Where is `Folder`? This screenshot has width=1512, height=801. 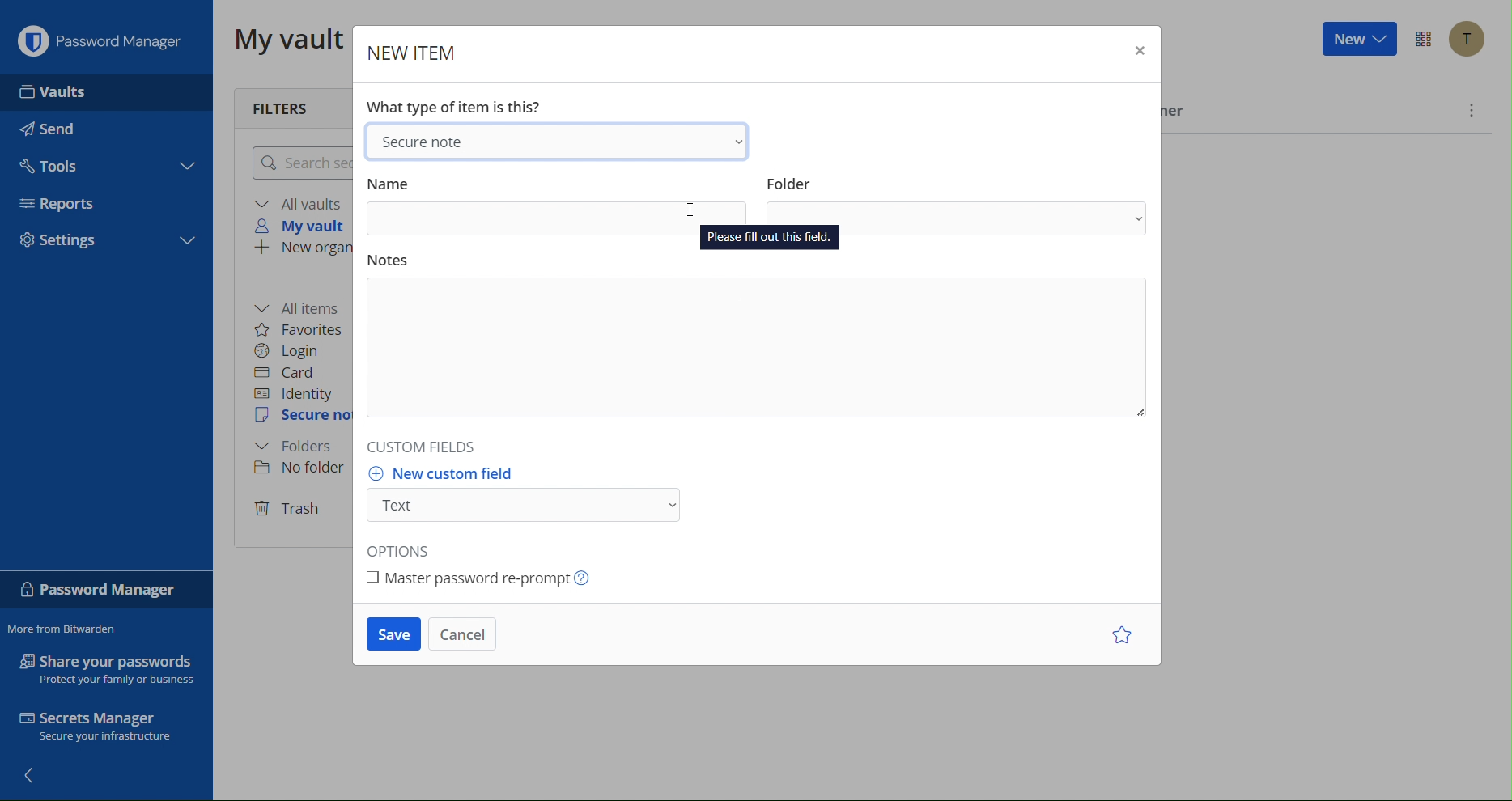 Folder is located at coordinates (300, 447).